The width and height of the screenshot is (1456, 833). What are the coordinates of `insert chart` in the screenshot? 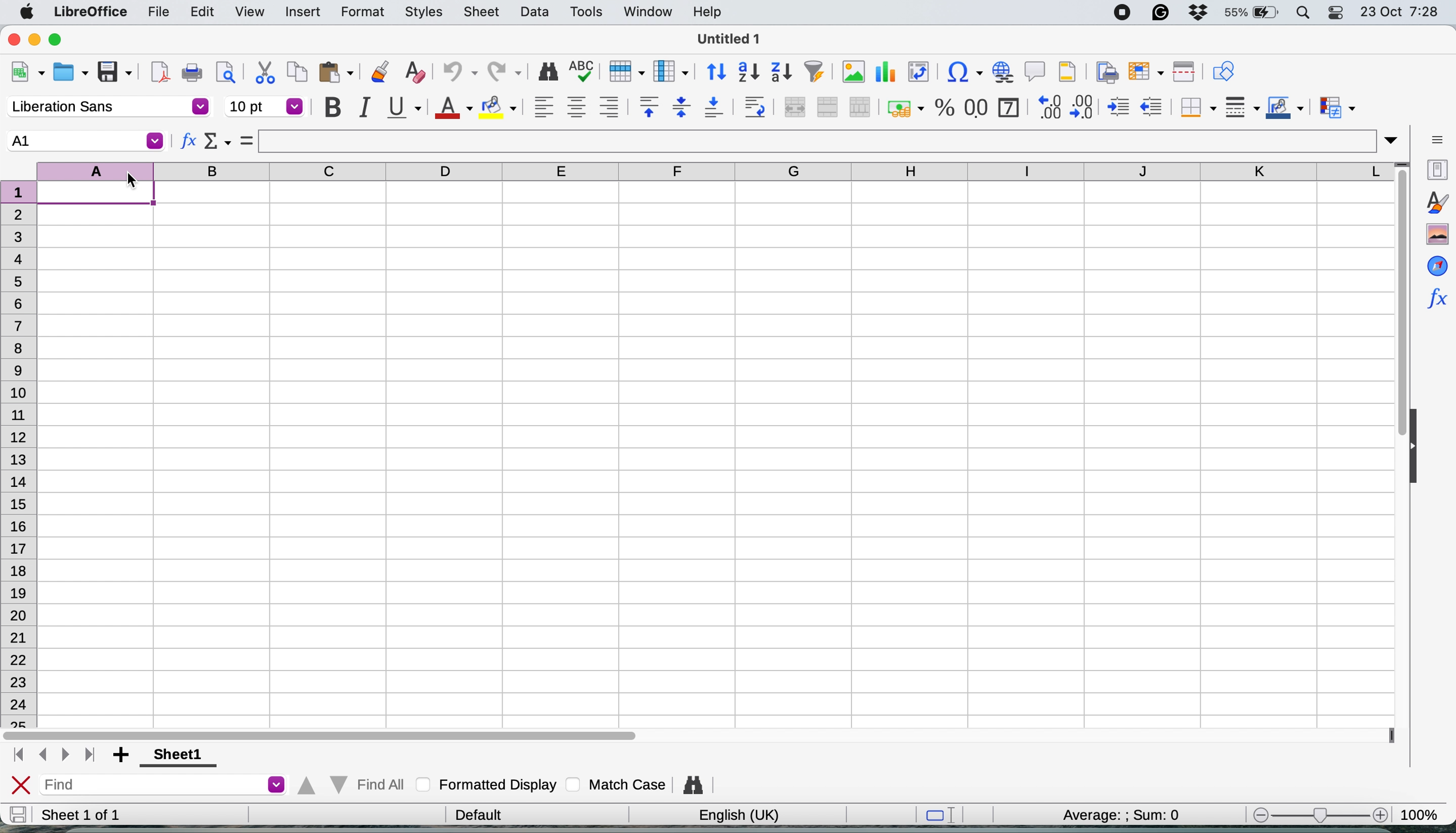 It's located at (887, 72).